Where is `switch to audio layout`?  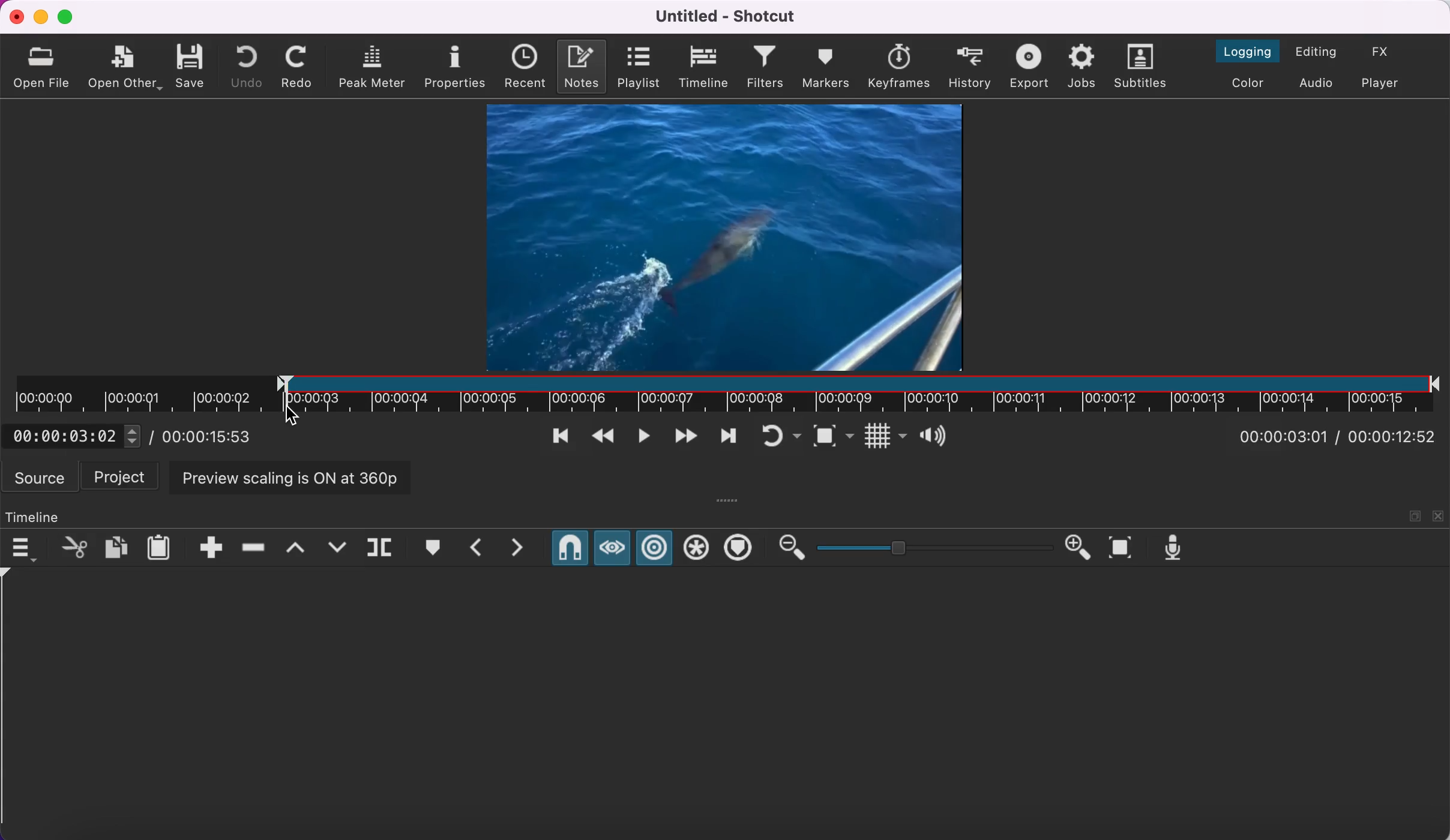
switch to audio layout is located at coordinates (1319, 83).